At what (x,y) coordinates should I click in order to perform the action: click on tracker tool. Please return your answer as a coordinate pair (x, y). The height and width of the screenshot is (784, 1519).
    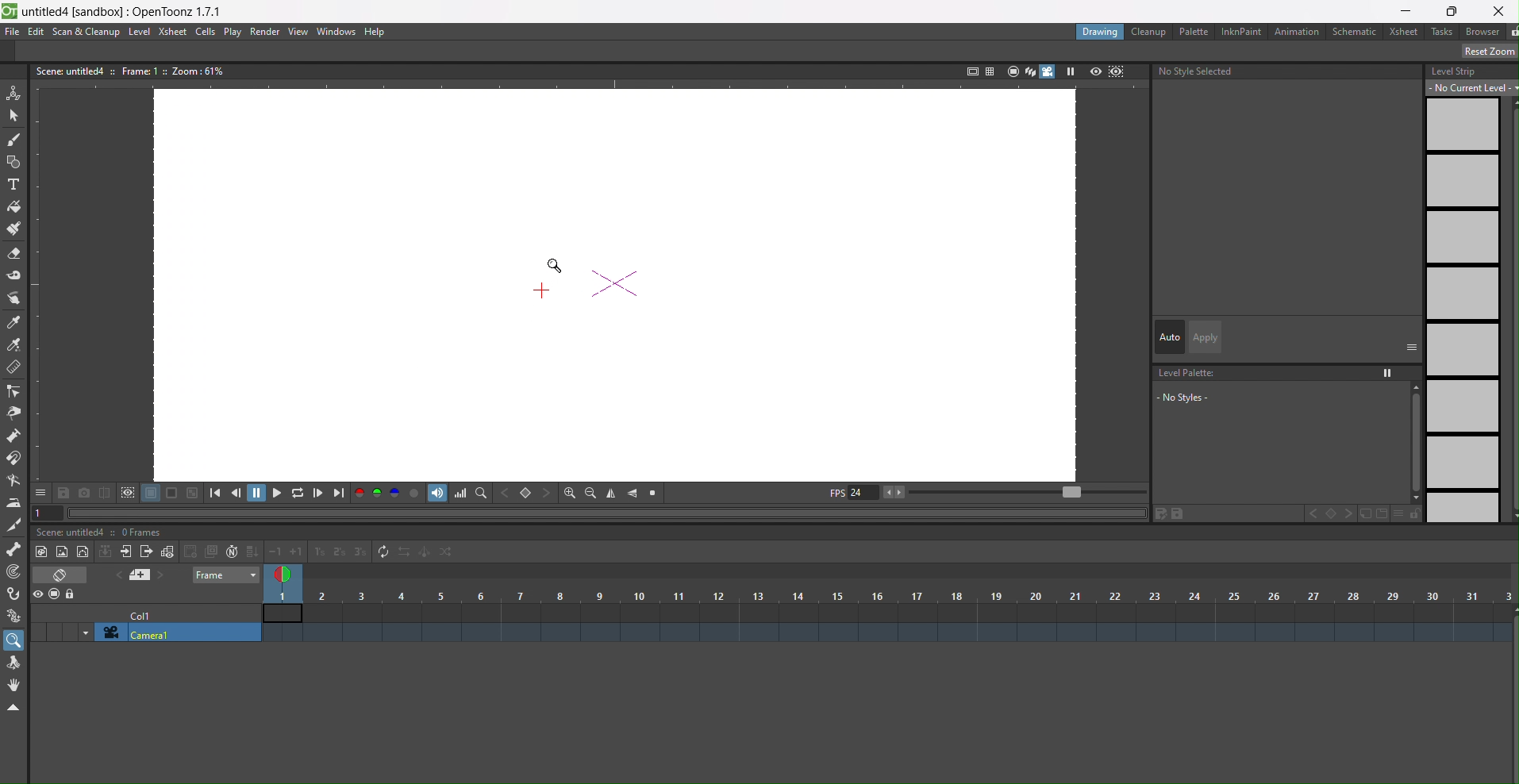
    Looking at the image, I should click on (15, 573).